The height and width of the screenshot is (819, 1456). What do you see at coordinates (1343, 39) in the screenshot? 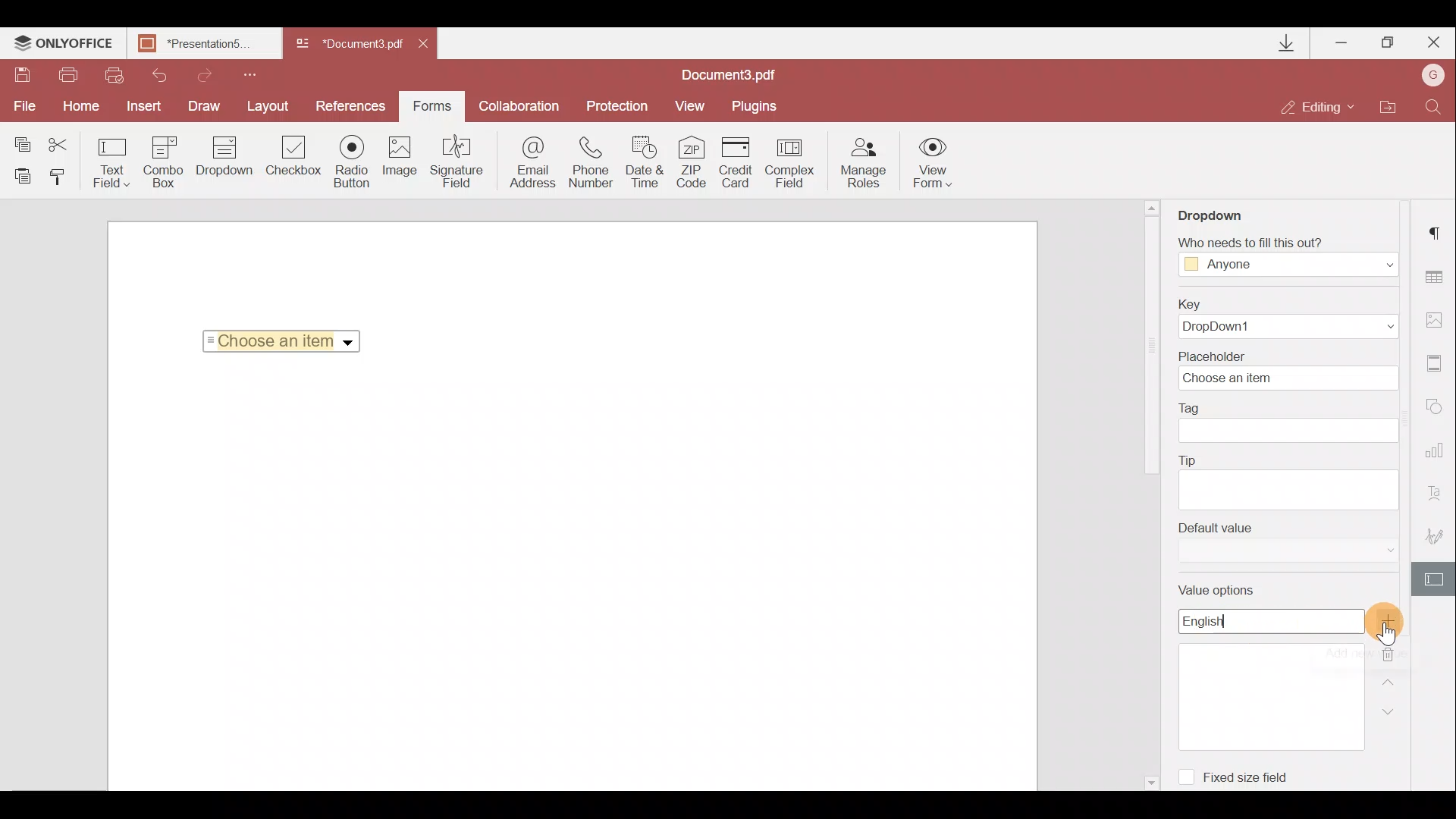
I see `Minimize` at bounding box center [1343, 39].